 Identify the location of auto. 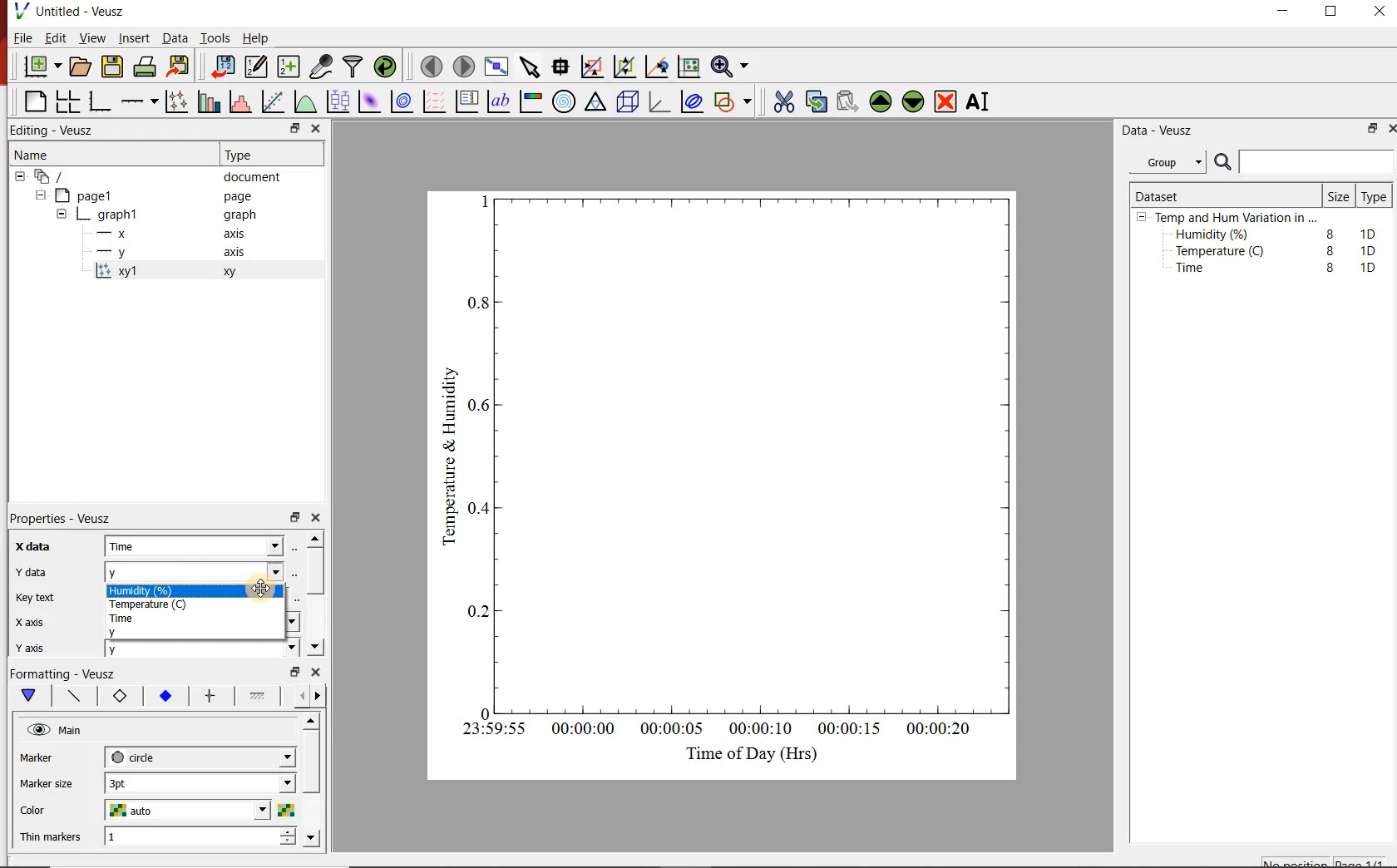
(134, 811).